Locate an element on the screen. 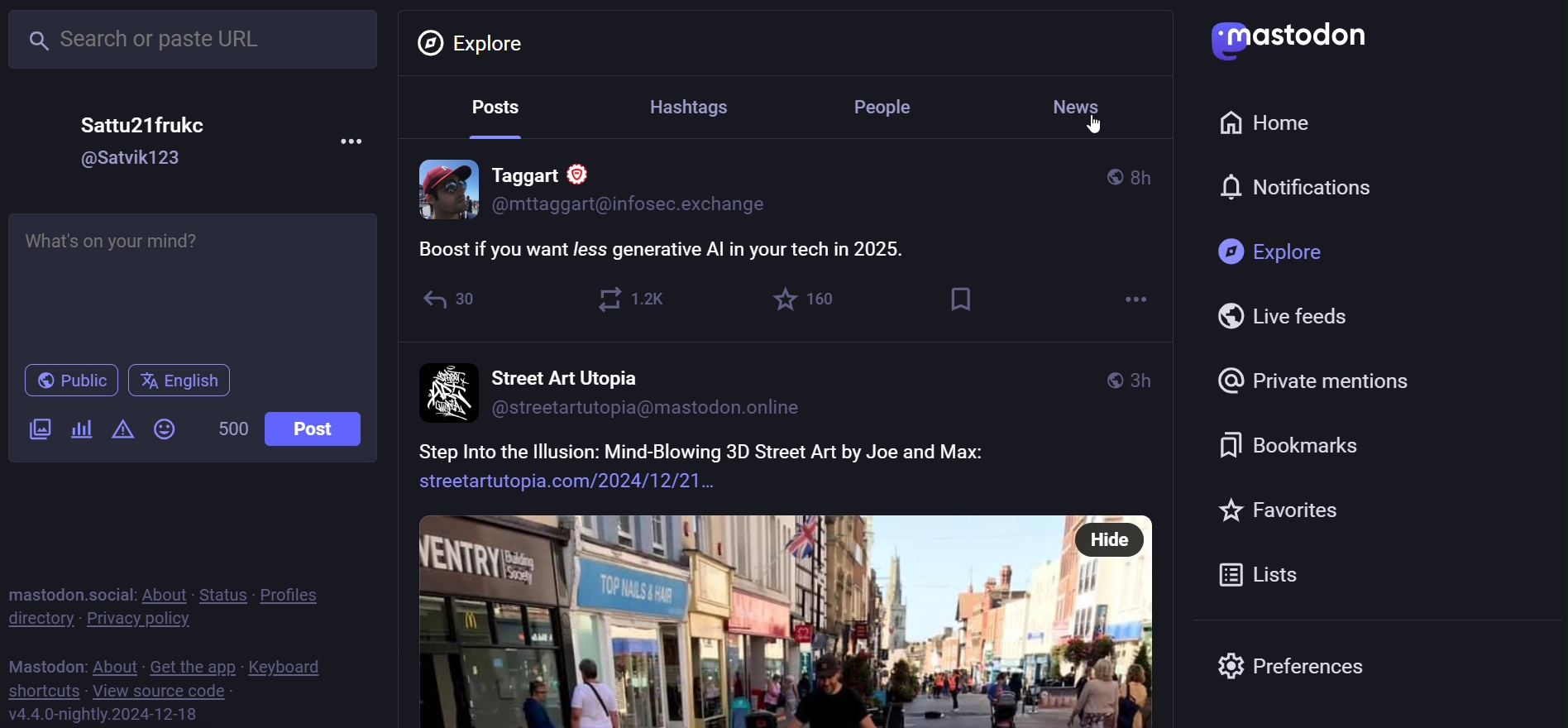  boost is located at coordinates (630, 300).